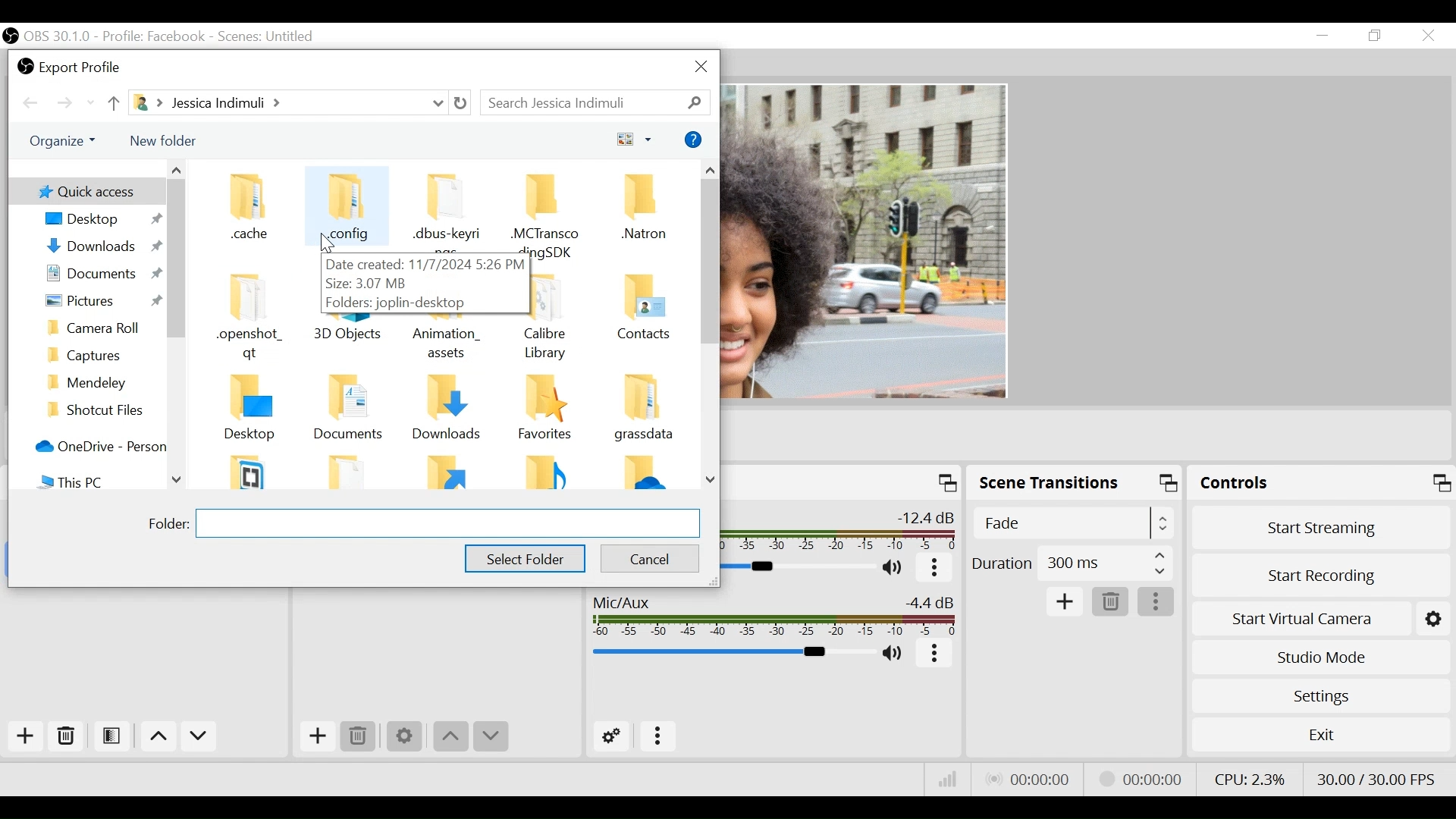 This screenshot has width=1456, height=819. I want to click on CPU Usage, so click(1250, 777).